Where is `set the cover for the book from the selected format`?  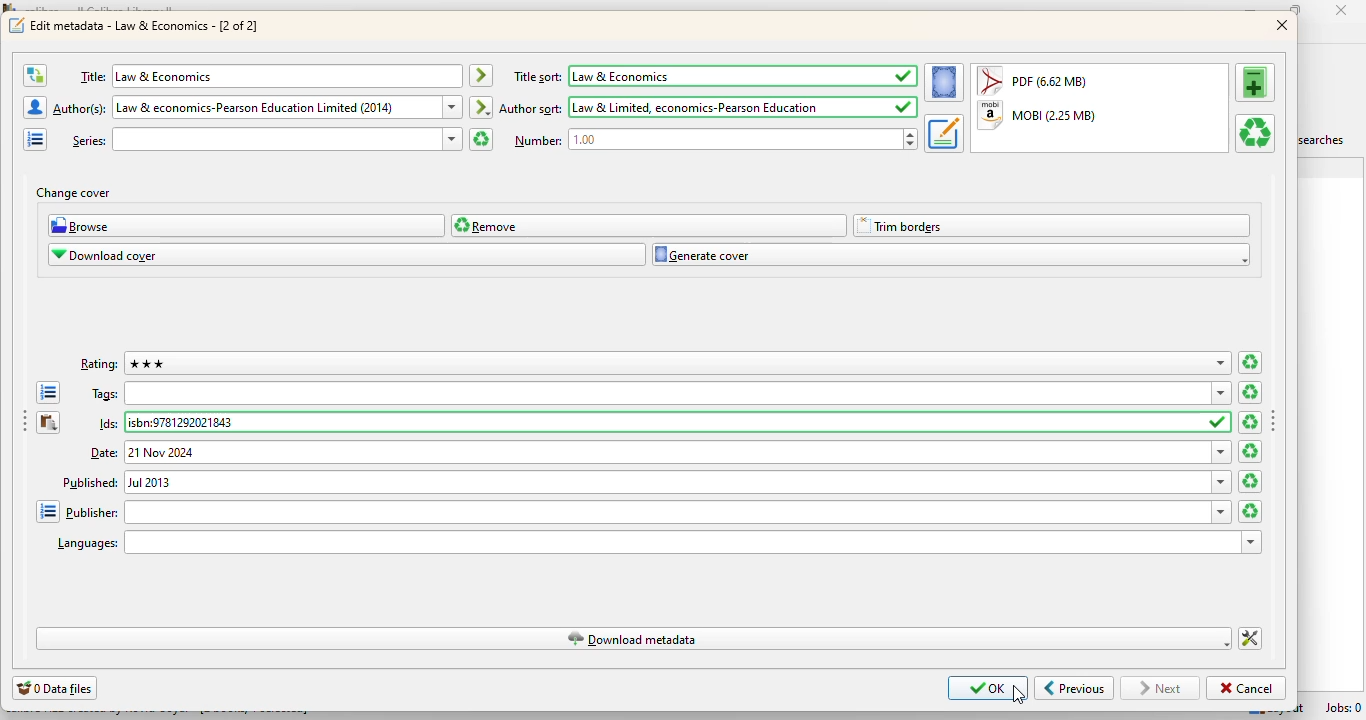 set the cover for the book from the selected format is located at coordinates (944, 83).